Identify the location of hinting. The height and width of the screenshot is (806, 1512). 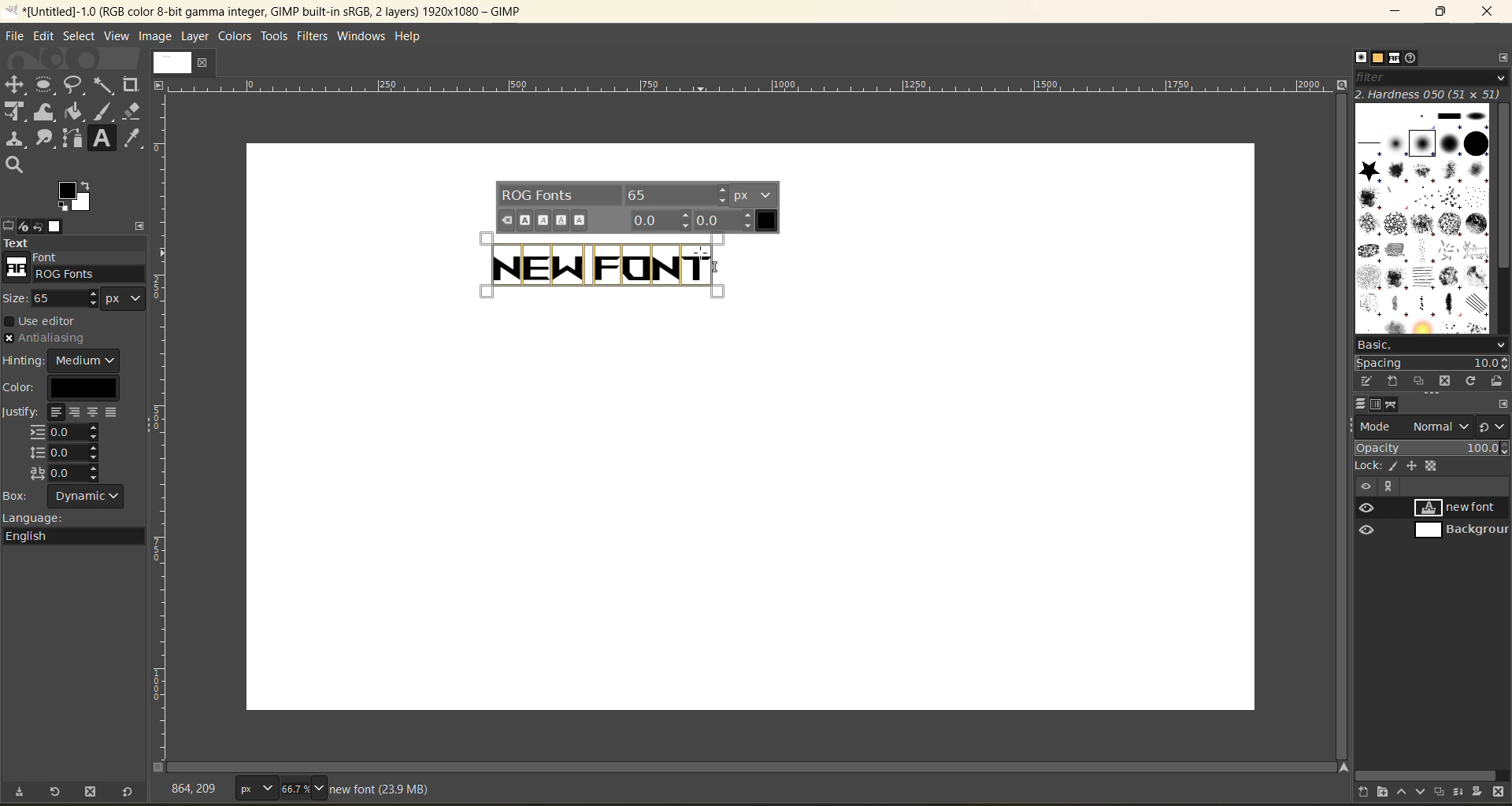
(64, 360).